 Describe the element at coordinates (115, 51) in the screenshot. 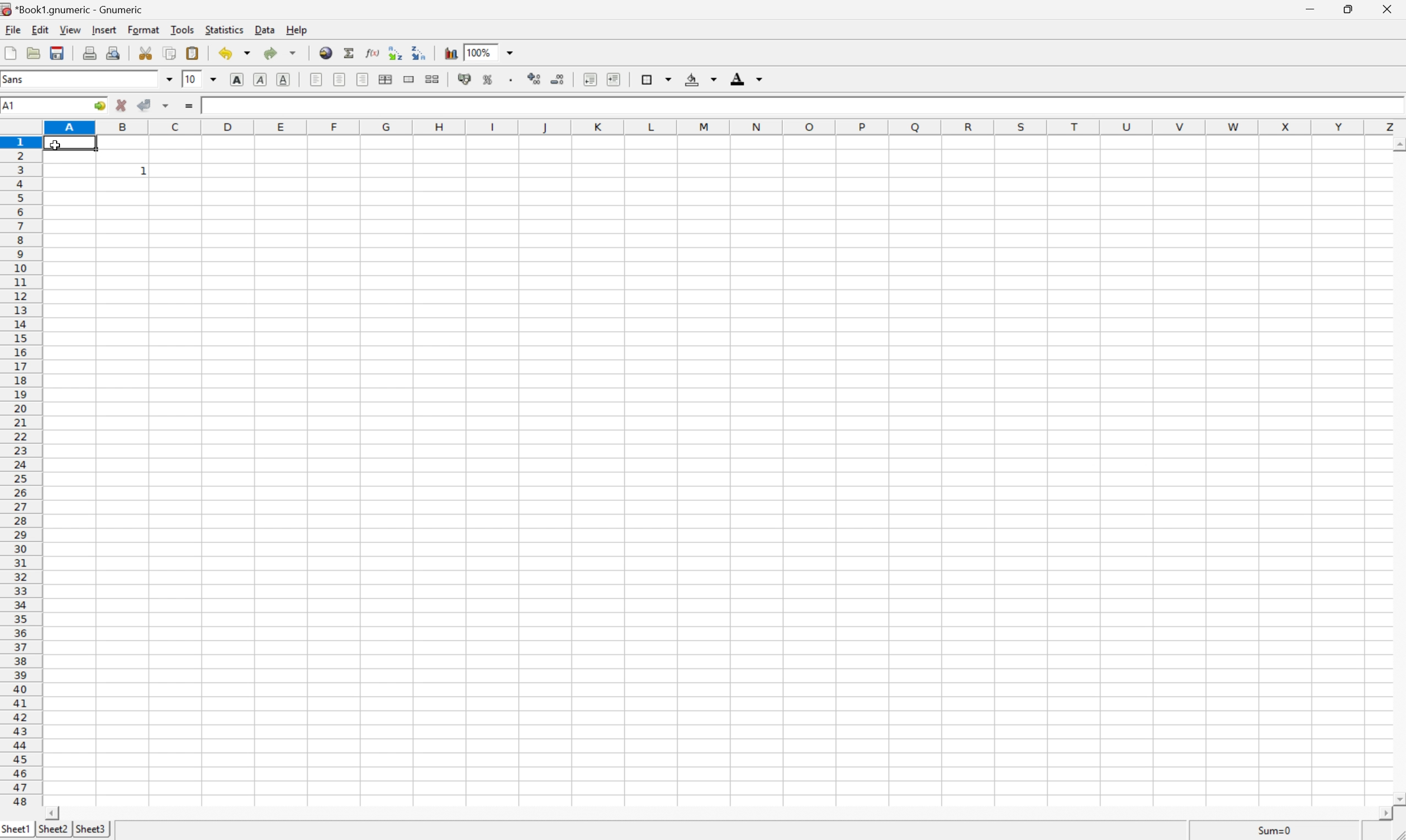

I see `print preview` at that location.